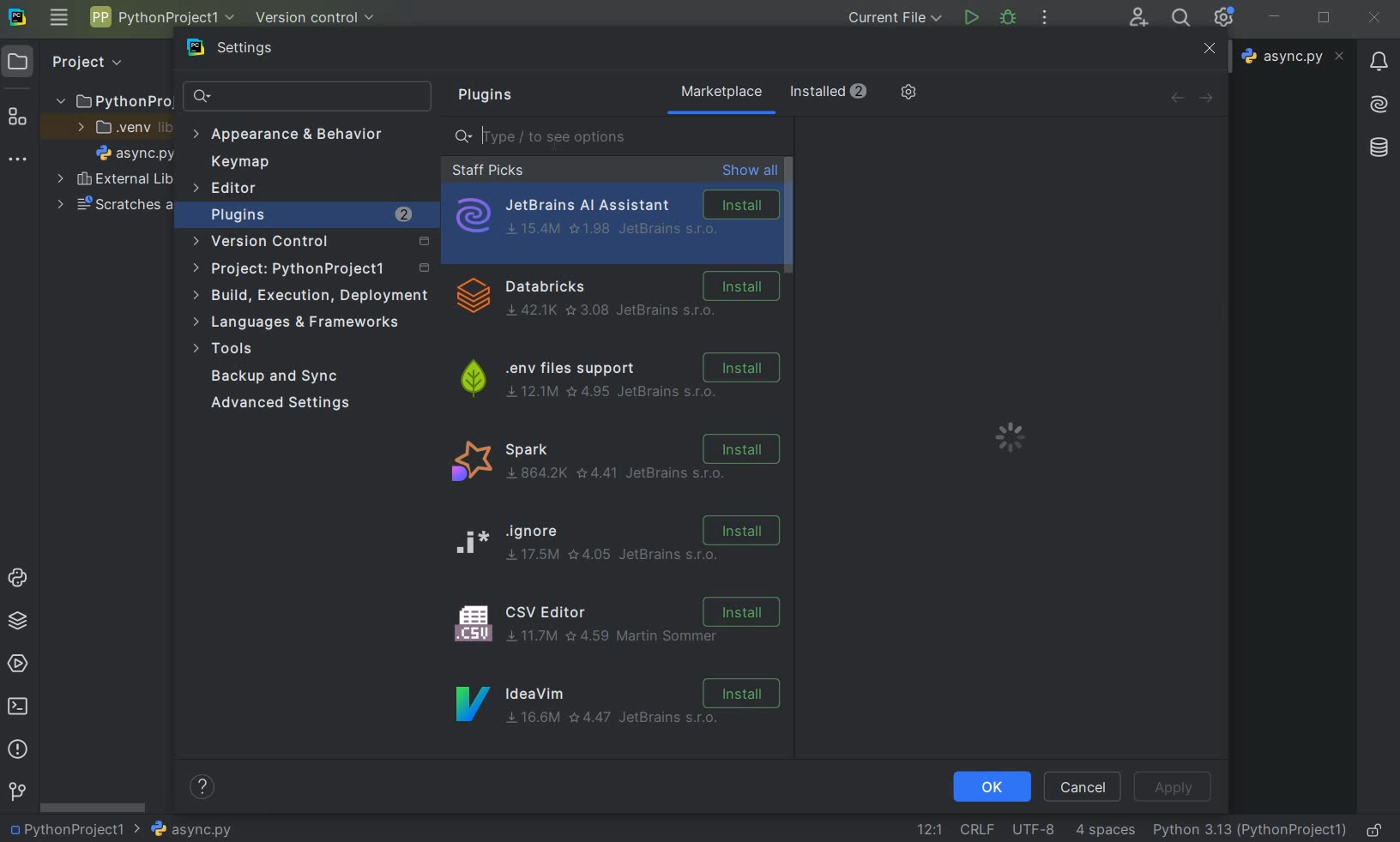 The width and height of the screenshot is (1400, 842). Describe the element at coordinates (970, 17) in the screenshot. I see `run` at that location.